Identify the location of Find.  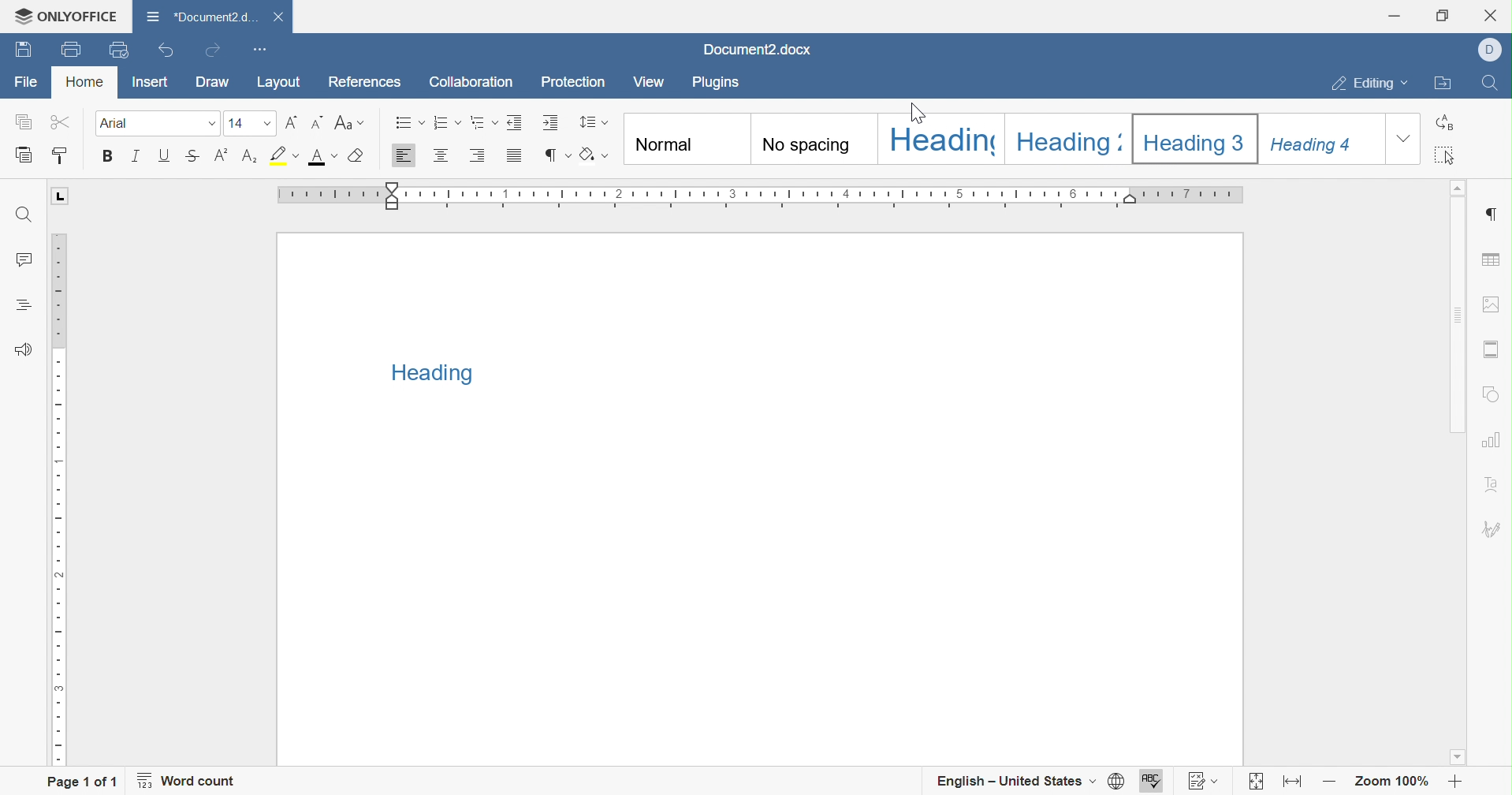
(25, 216).